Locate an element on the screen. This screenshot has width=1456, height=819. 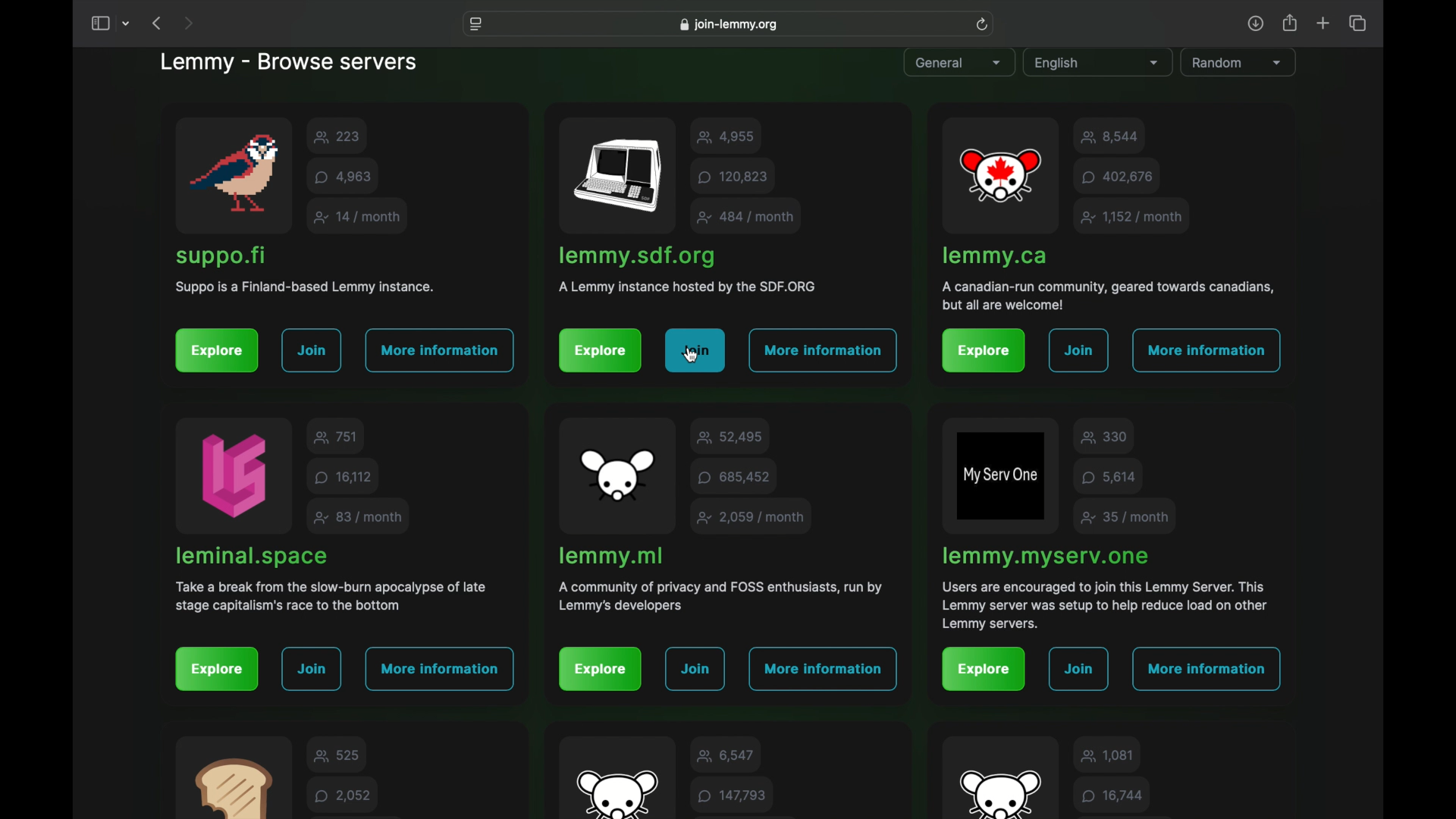
explore is located at coordinates (601, 670).